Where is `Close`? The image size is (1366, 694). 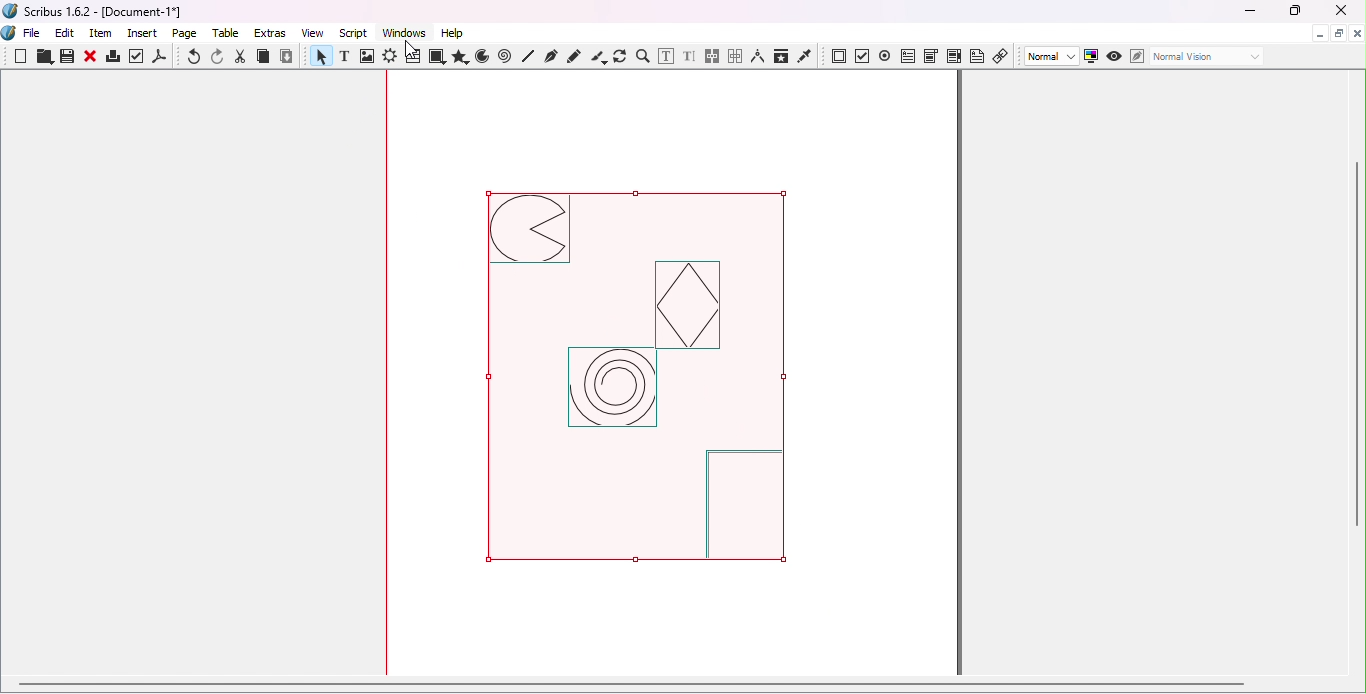 Close is located at coordinates (1337, 12).